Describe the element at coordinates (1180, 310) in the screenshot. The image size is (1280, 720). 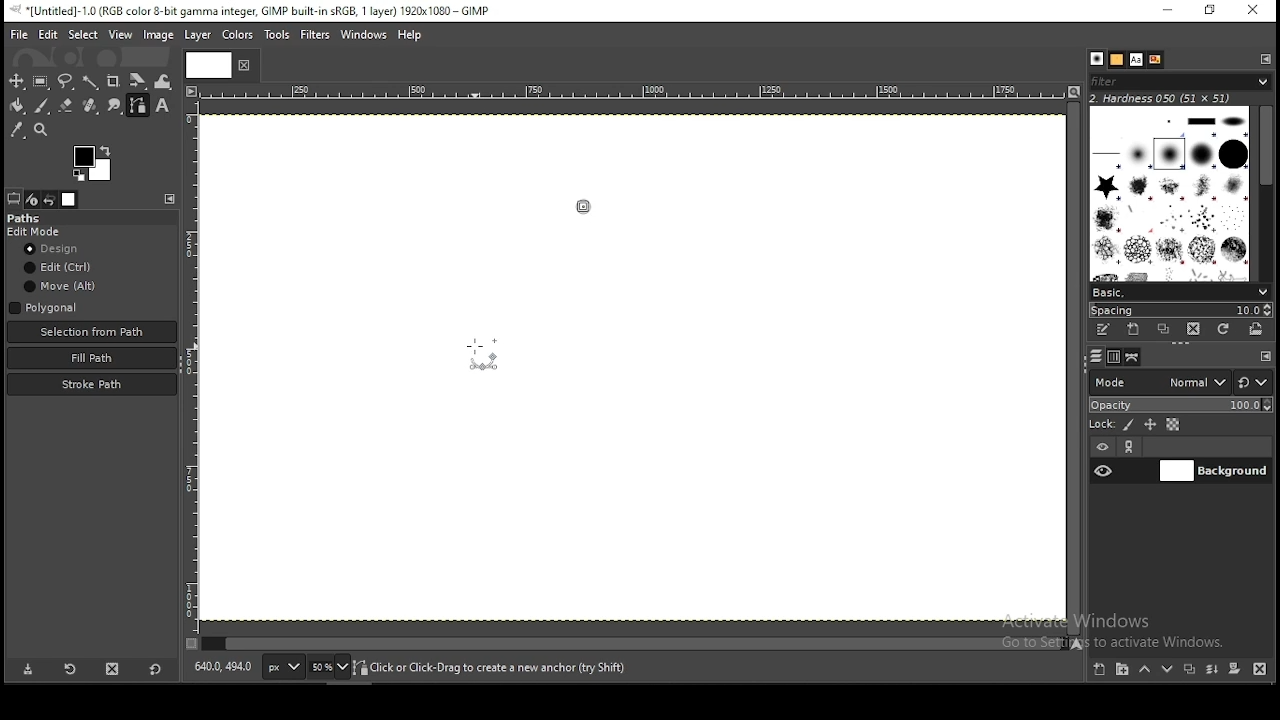
I see `spacing` at that location.